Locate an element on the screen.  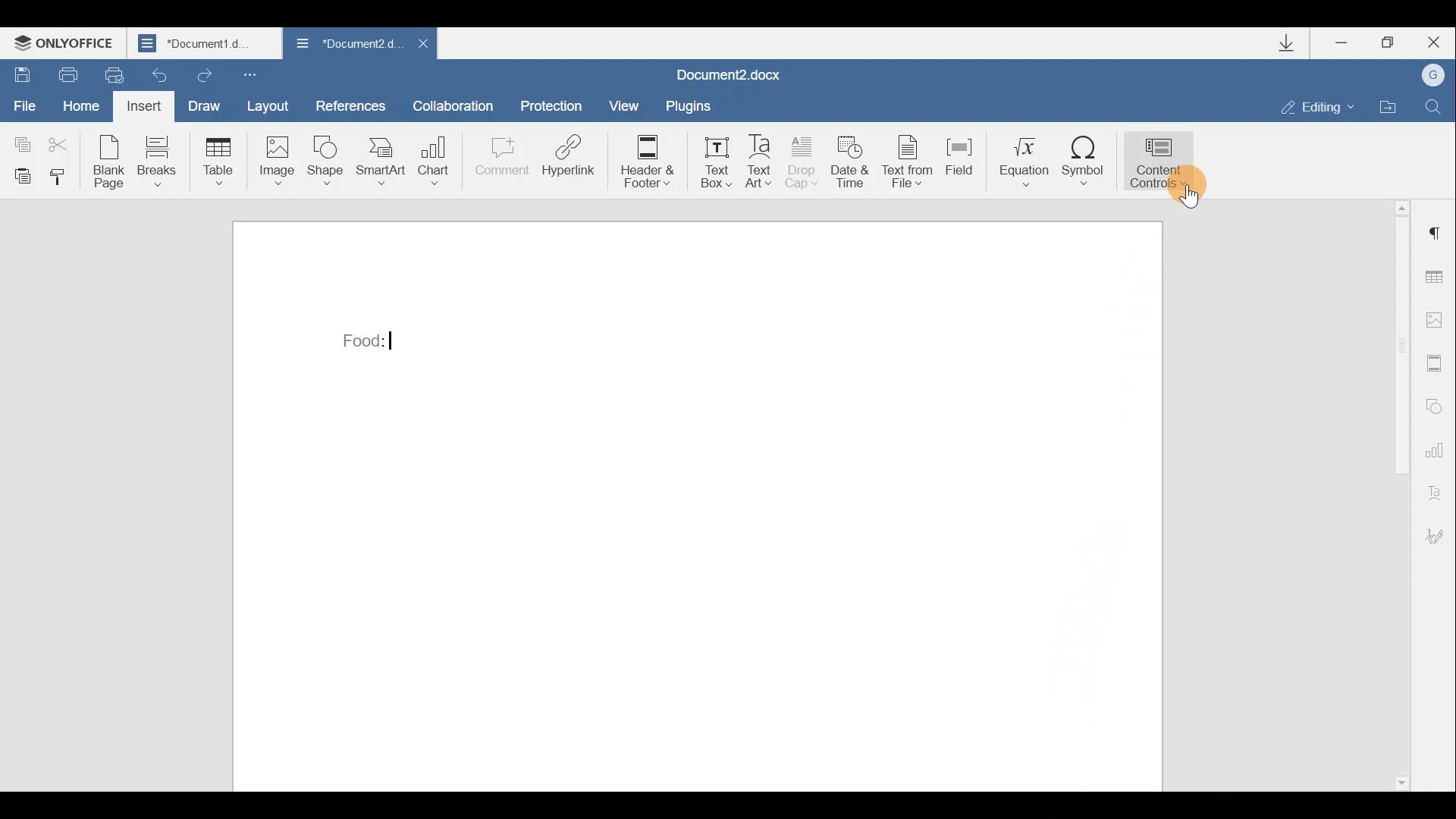
Text box is located at coordinates (711, 165).